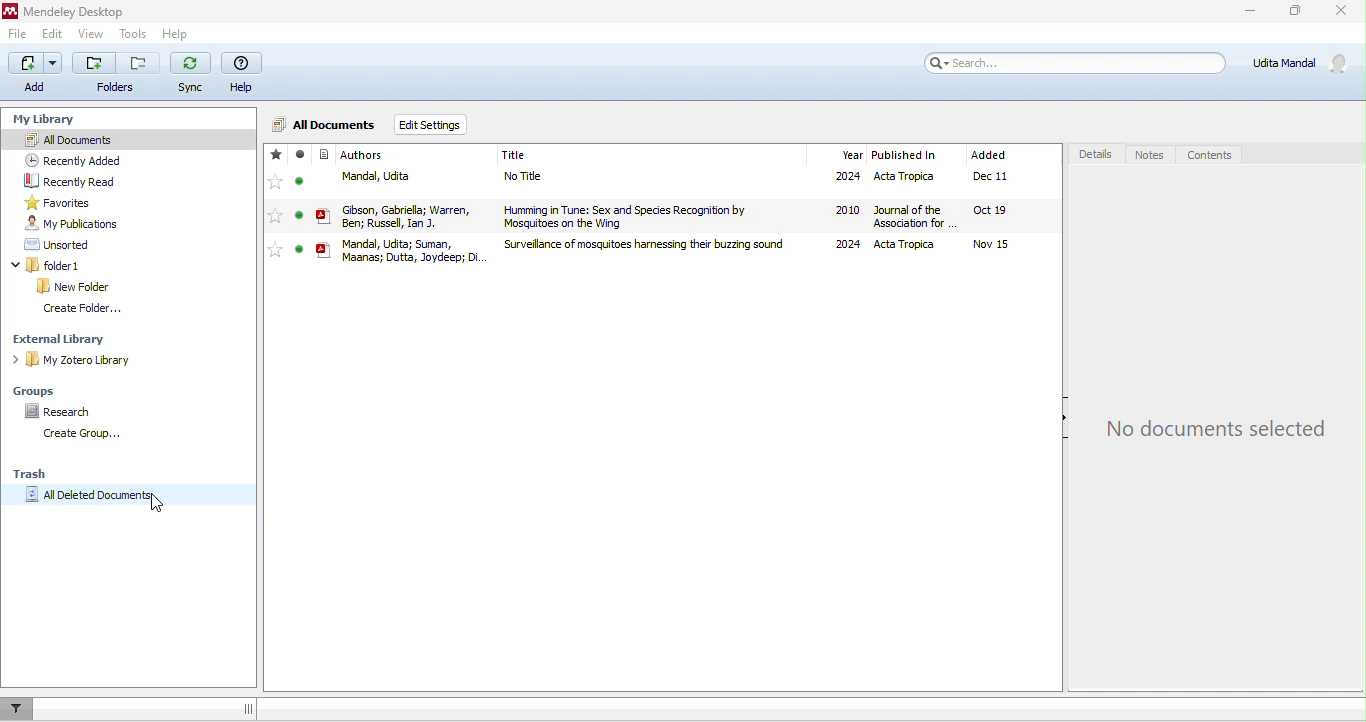 The image size is (1366, 722). Describe the element at coordinates (15, 708) in the screenshot. I see `filter` at that location.